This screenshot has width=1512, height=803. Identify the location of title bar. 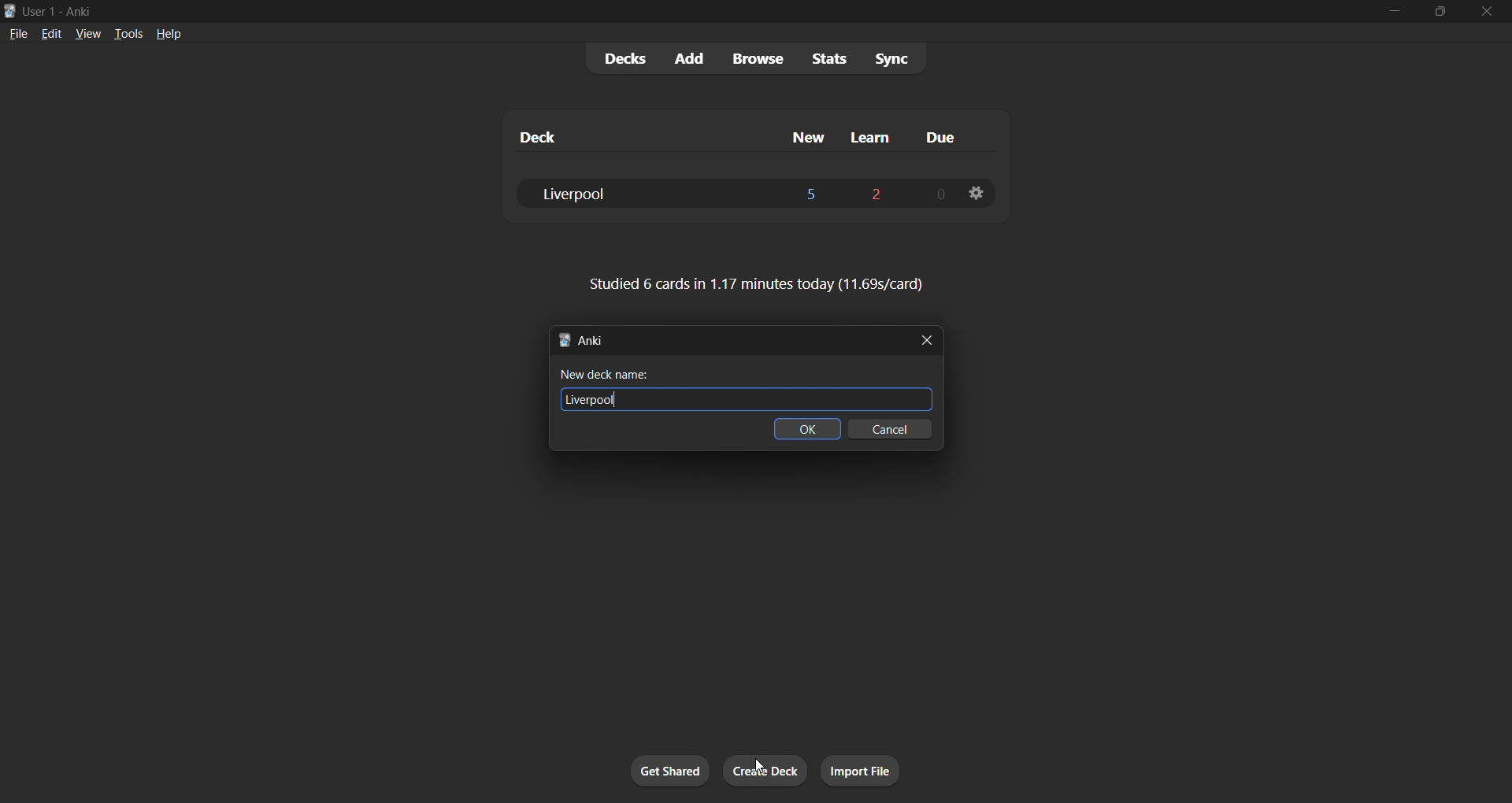
(668, 12).